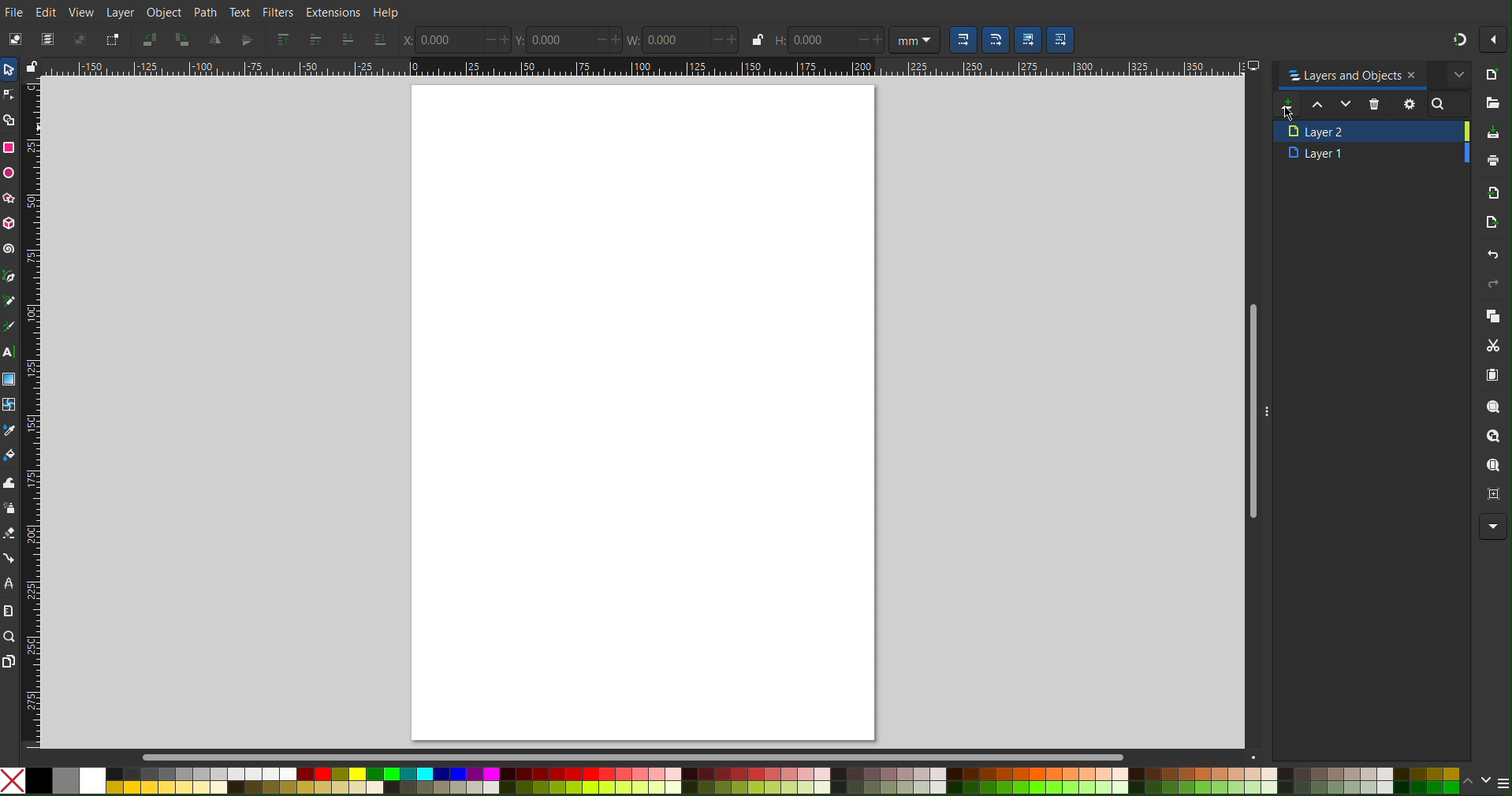  I want to click on Undo, so click(1490, 256).